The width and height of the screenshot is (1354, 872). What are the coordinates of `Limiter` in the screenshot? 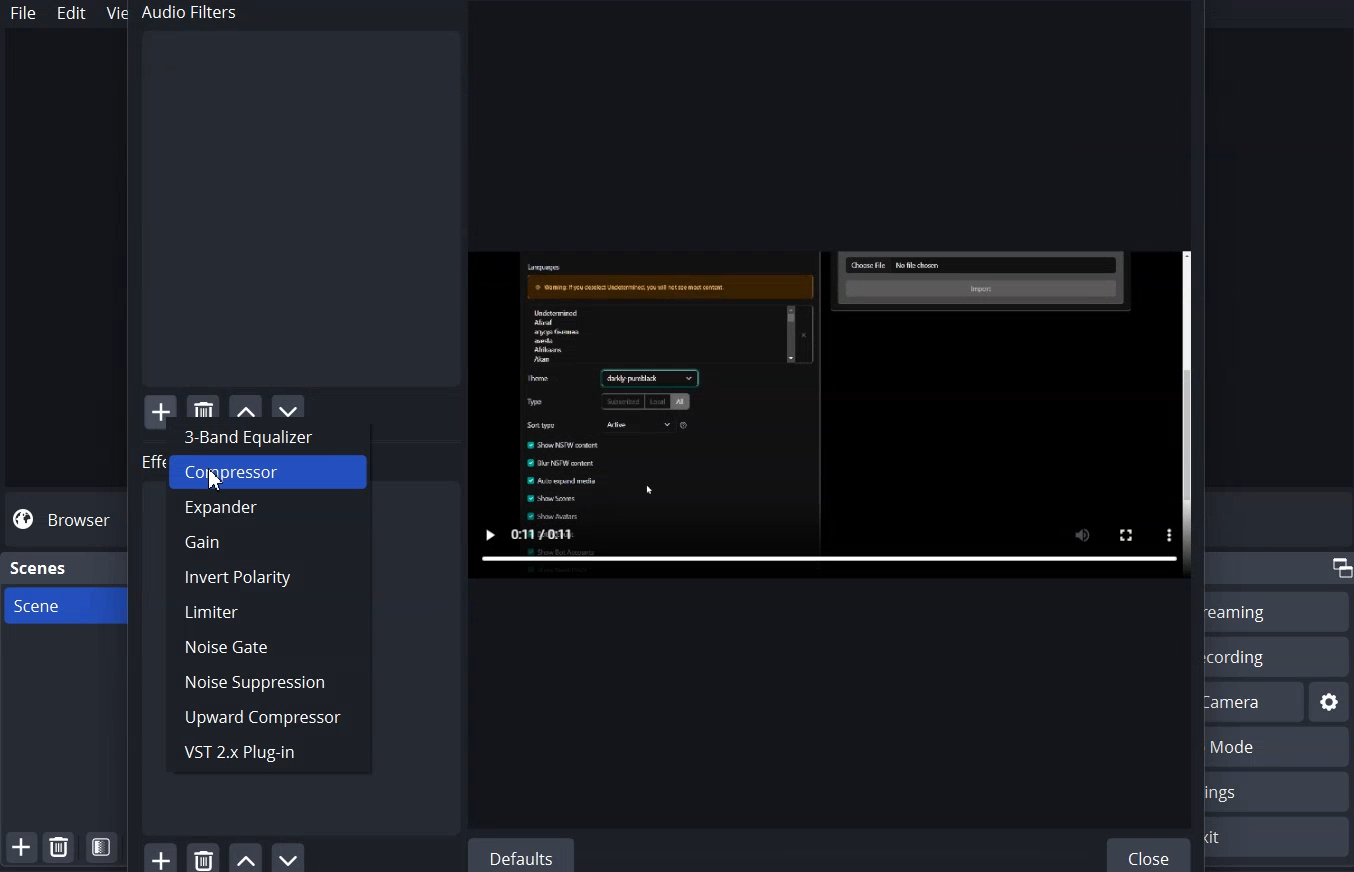 It's located at (268, 611).